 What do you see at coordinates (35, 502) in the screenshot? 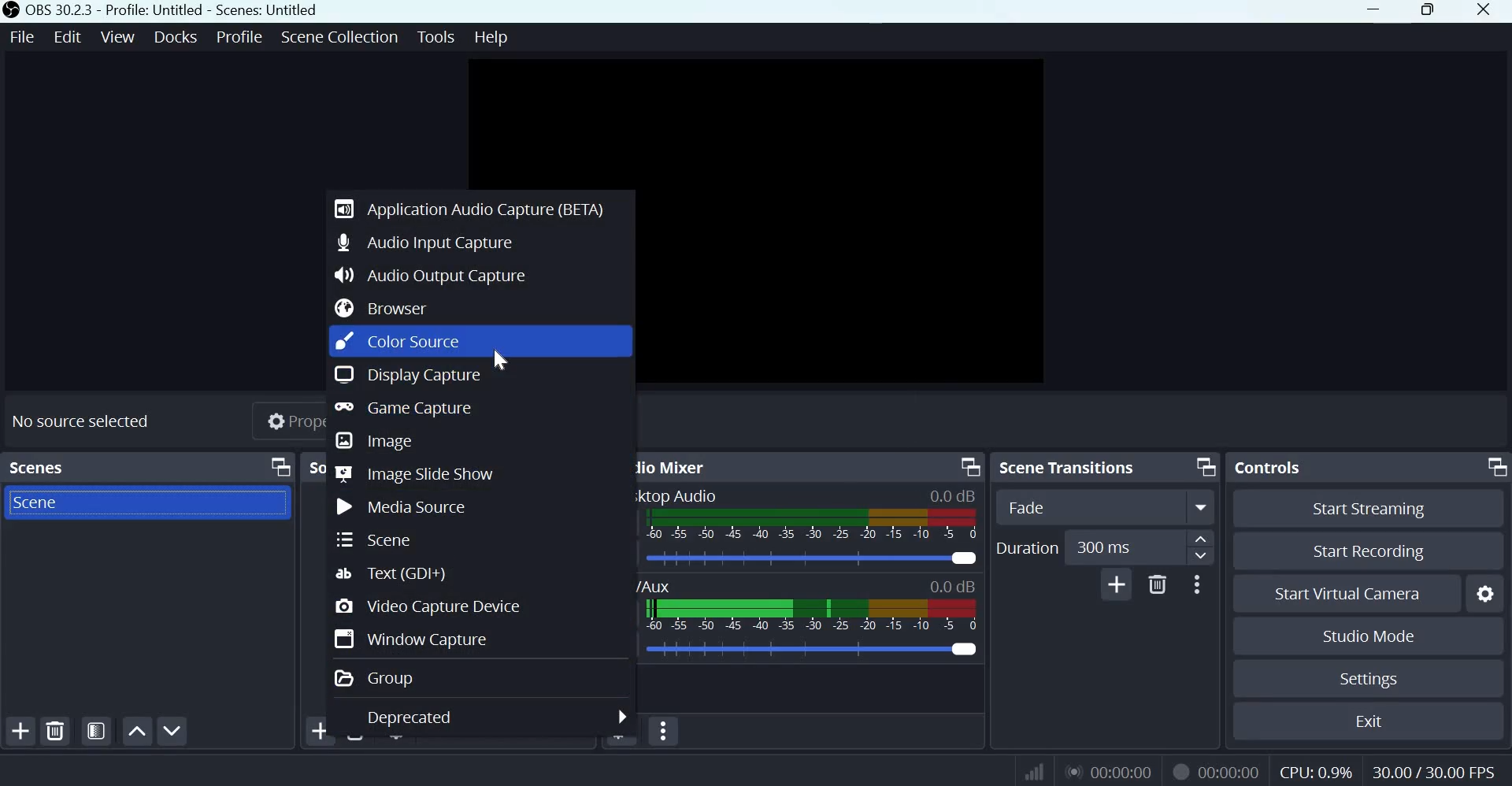
I see `Scene` at bounding box center [35, 502].